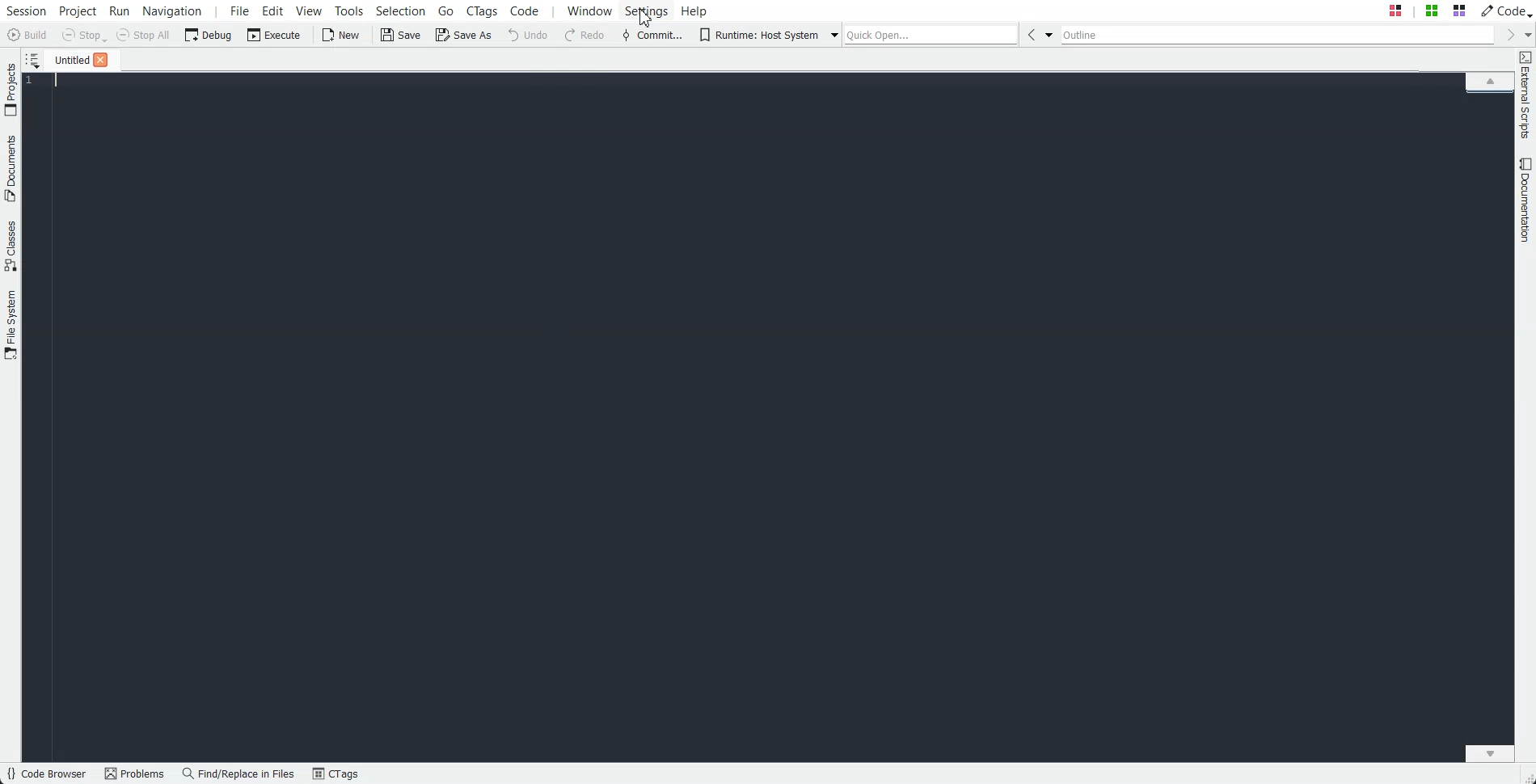 This screenshot has width=1536, height=784. What do you see at coordinates (1489, 95) in the screenshot?
I see `File Overview` at bounding box center [1489, 95].